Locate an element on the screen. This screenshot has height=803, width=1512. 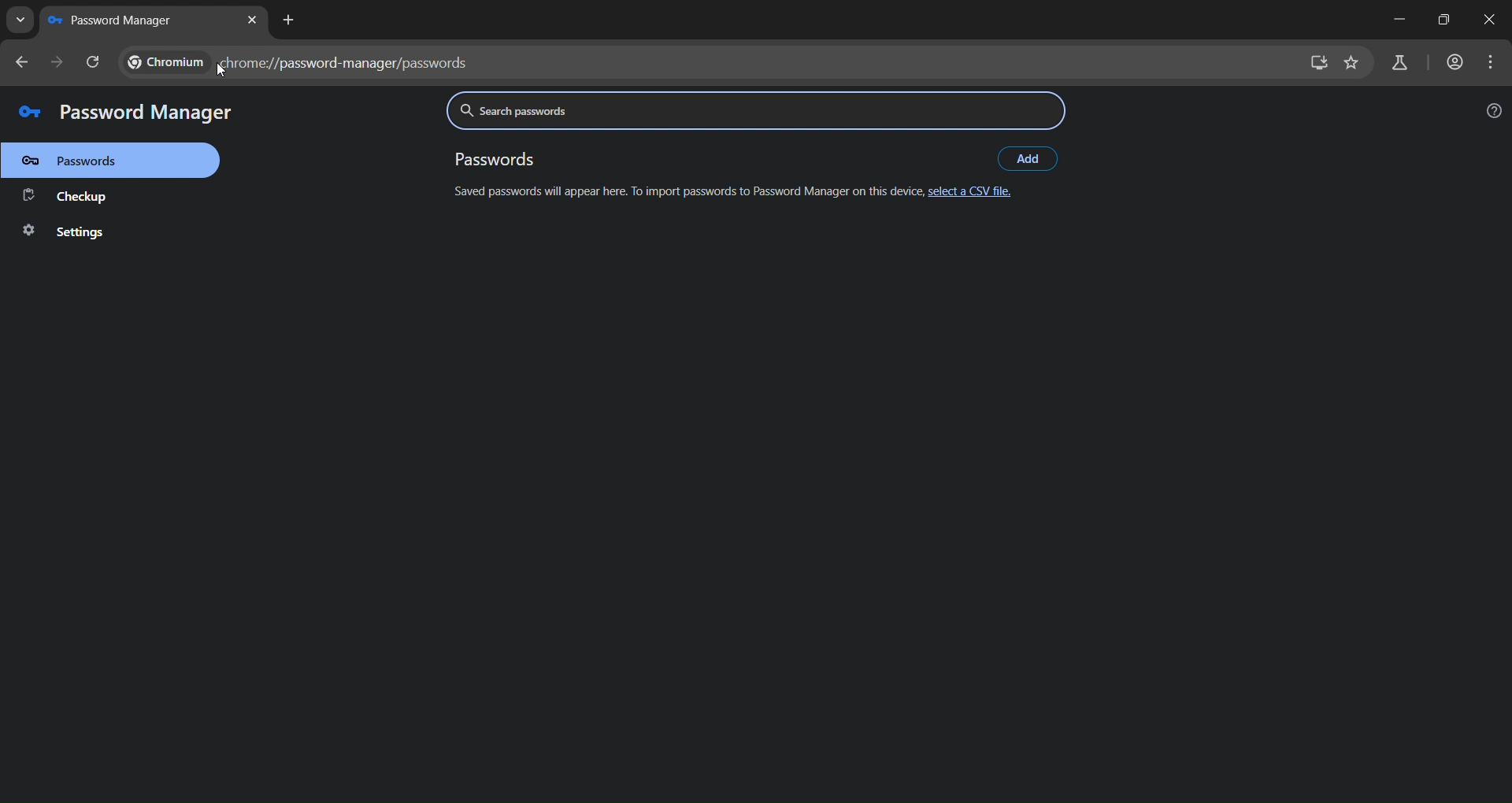
account is located at coordinates (1457, 62).